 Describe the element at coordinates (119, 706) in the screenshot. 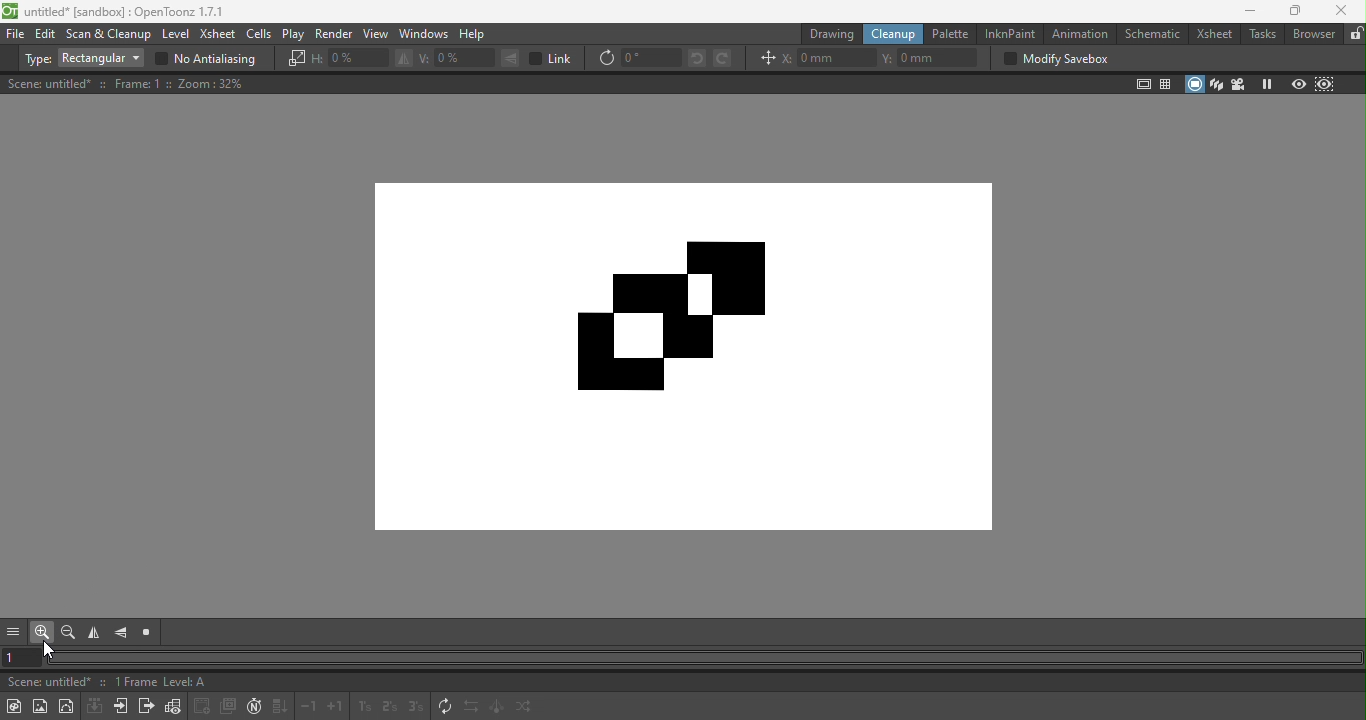

I see `Open sub-Xsheet` at that location.